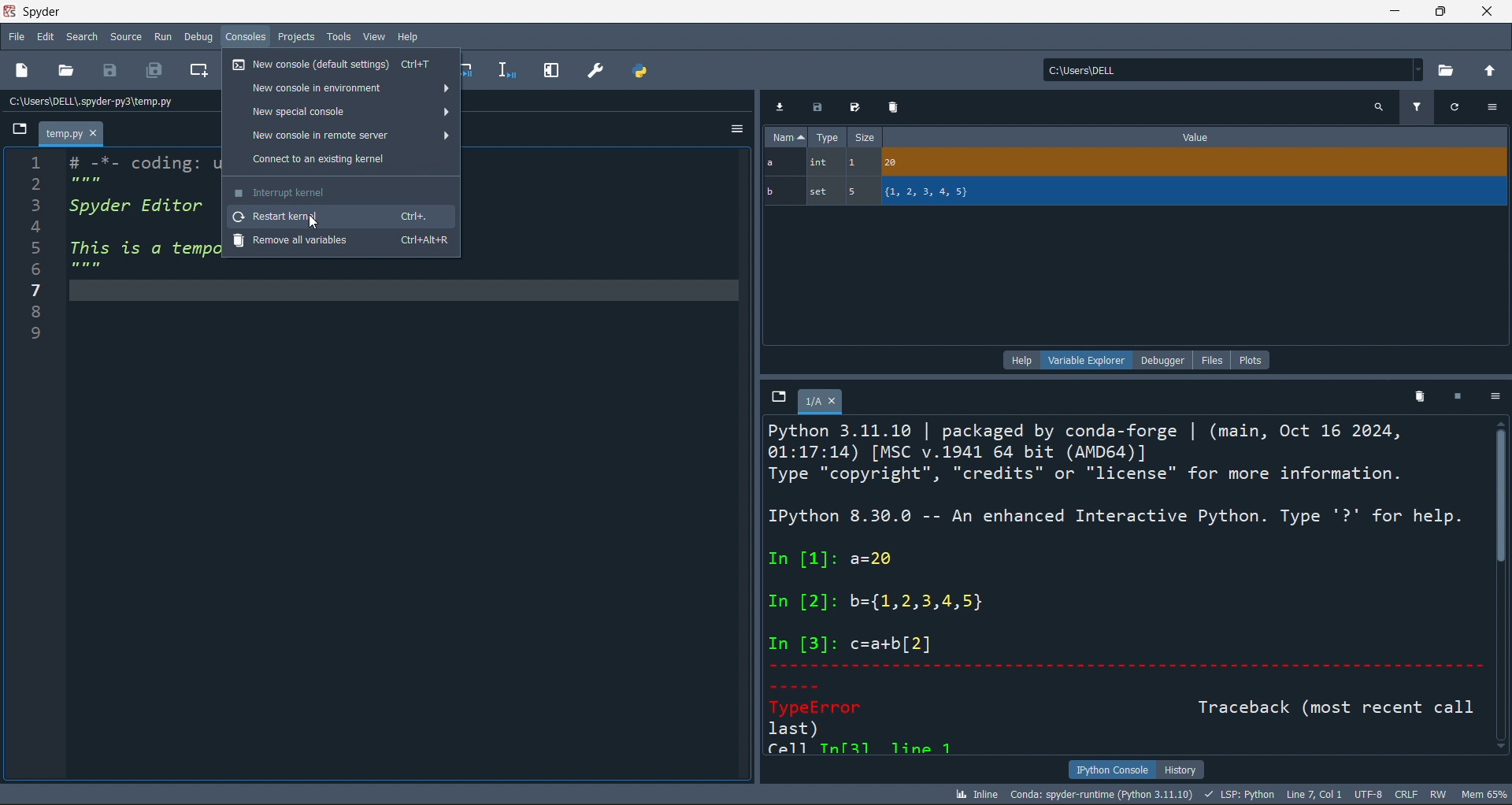  Describe the element at coordinates (338, 89) in the screenshot. I see `new console in environment` at that location.